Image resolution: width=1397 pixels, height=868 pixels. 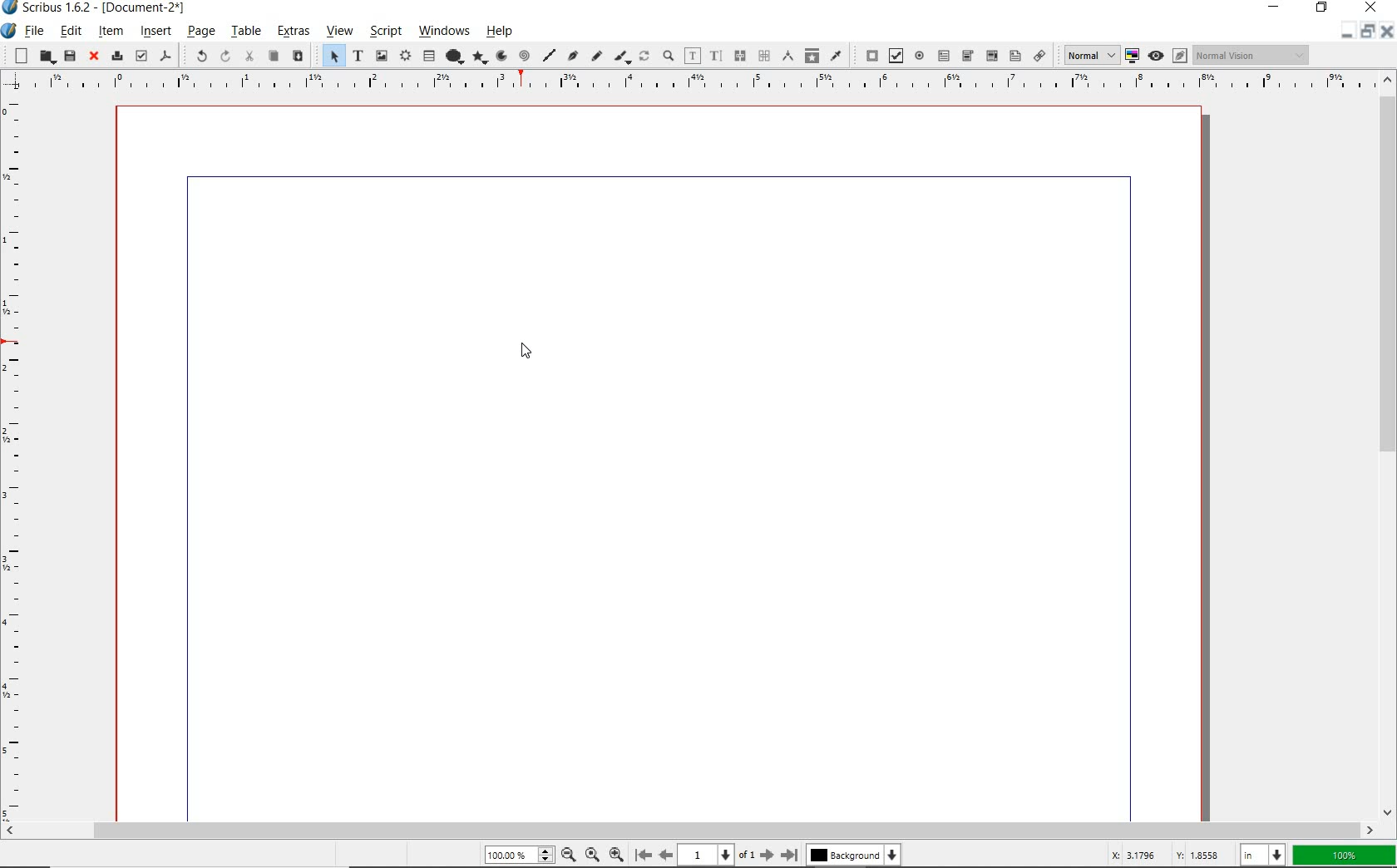 What do you see at coordinates (502, 33) in the screenshot?
I see `help` at bounding box center [502, 33].